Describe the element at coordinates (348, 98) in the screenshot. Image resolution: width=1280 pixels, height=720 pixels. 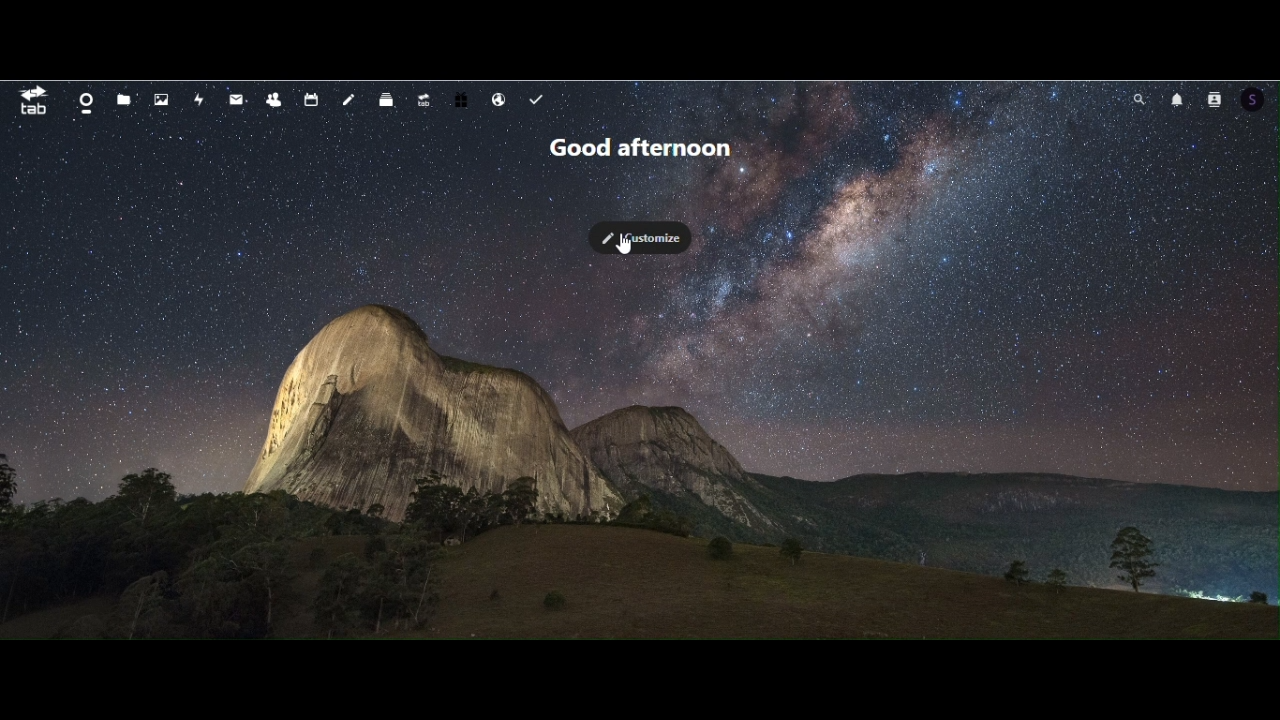
I see `notes` at that location.